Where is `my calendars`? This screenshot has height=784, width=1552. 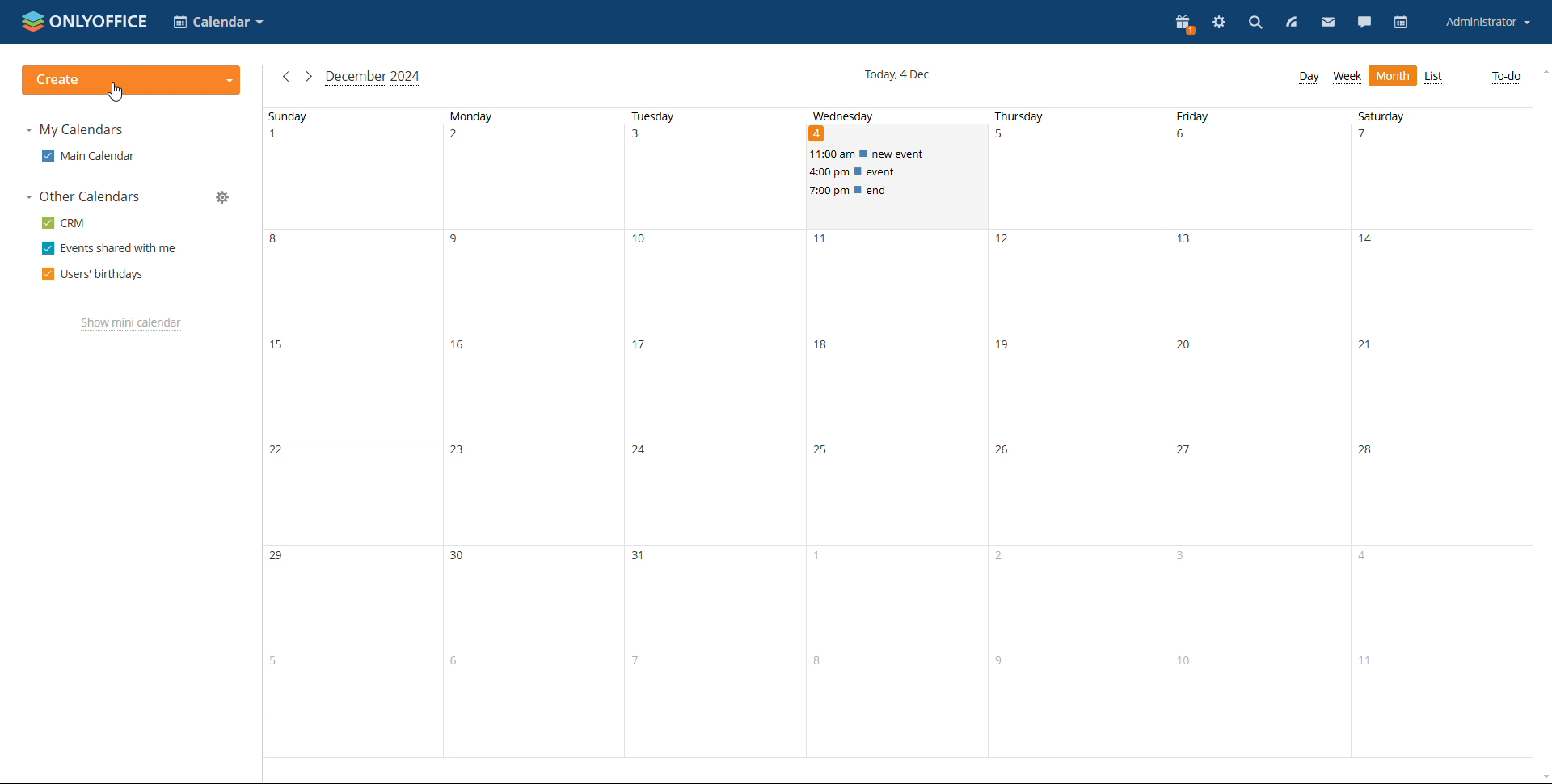 my calendars is located at coordinates (74, 131).